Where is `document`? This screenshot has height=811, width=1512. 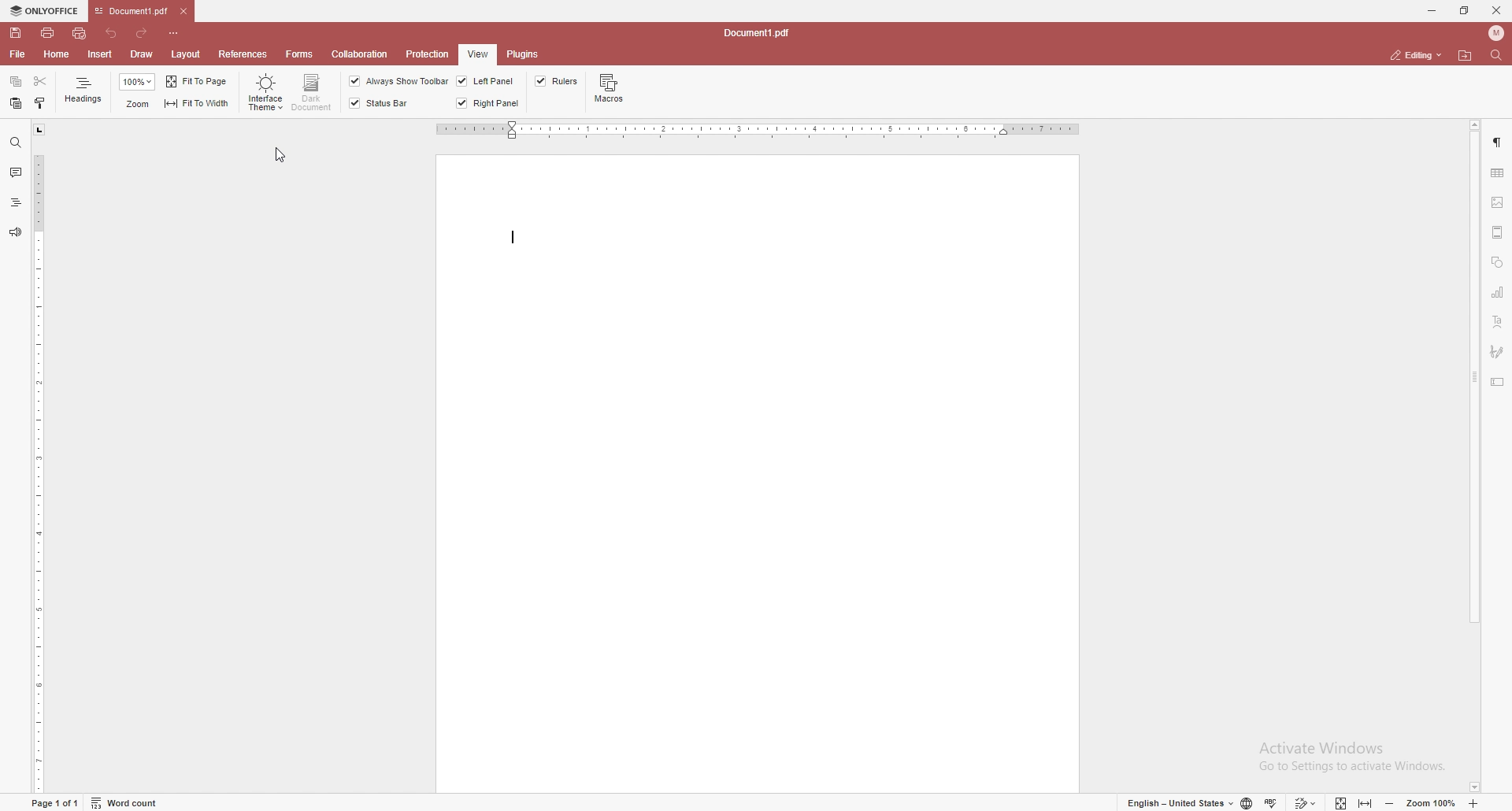
document is located at coordinates (757, 472).